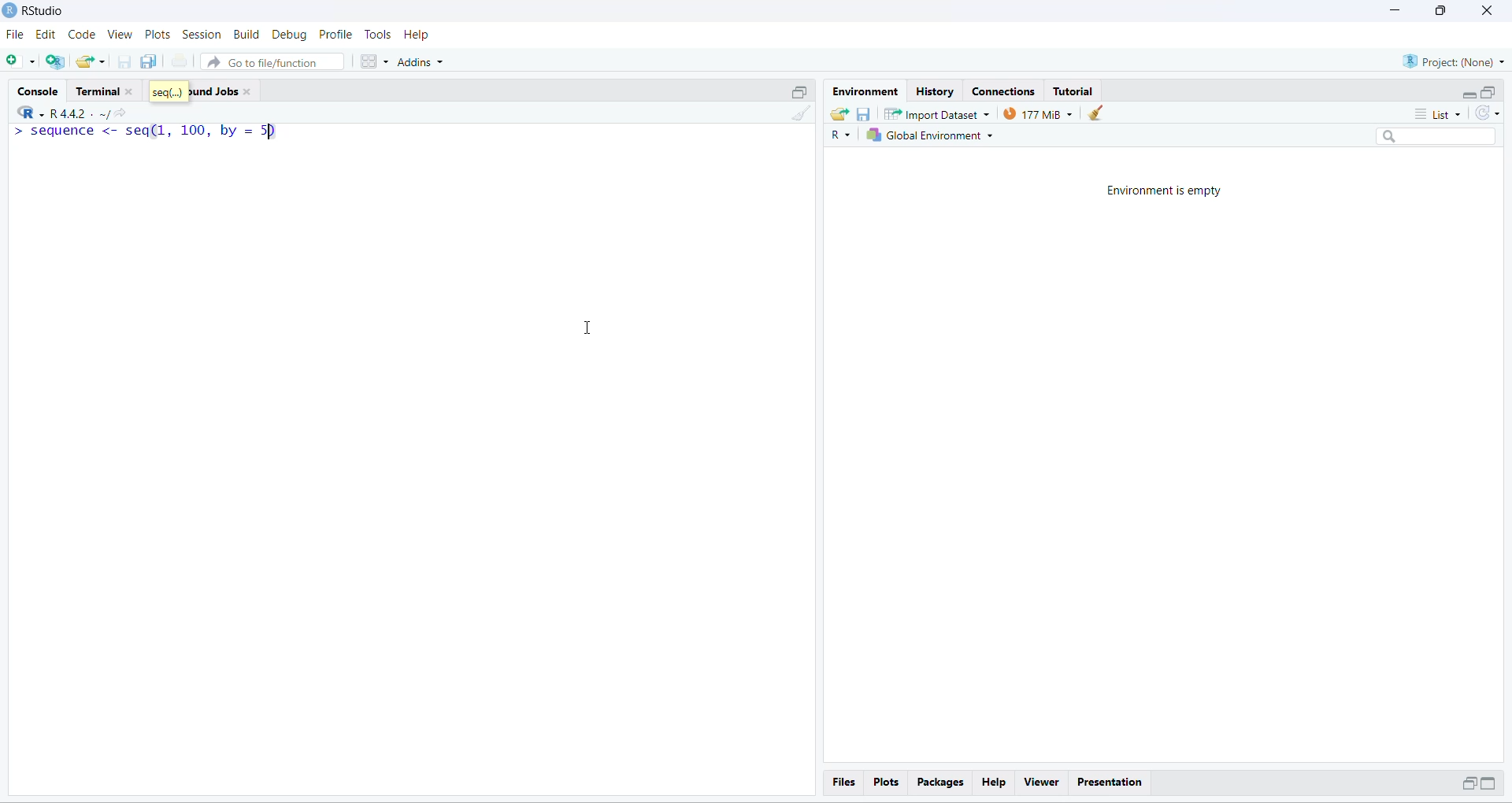  I want to click on copy, so click(150, 61).